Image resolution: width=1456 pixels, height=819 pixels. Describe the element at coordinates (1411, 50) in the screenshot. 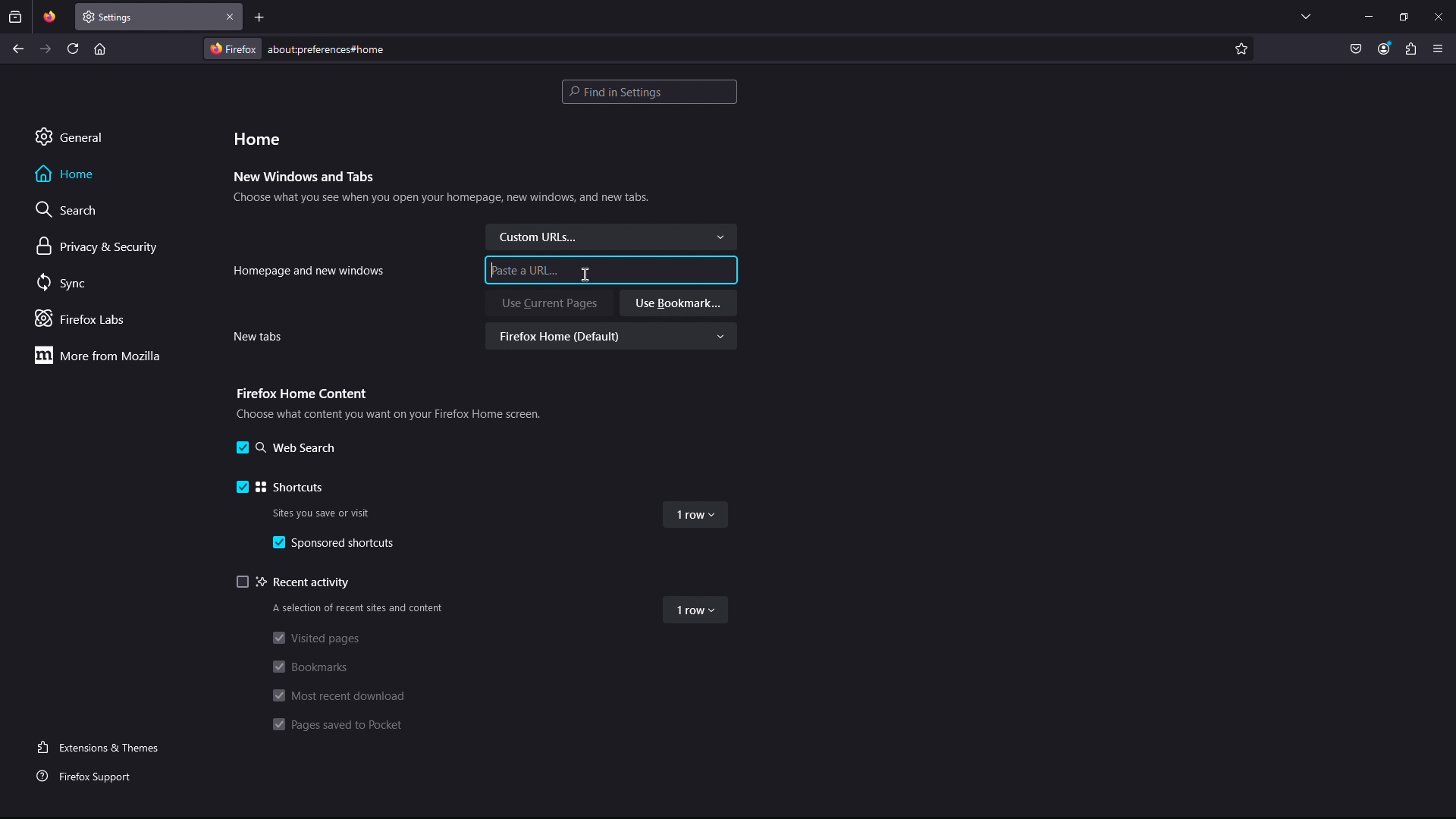

I see `Plugin` at that location.